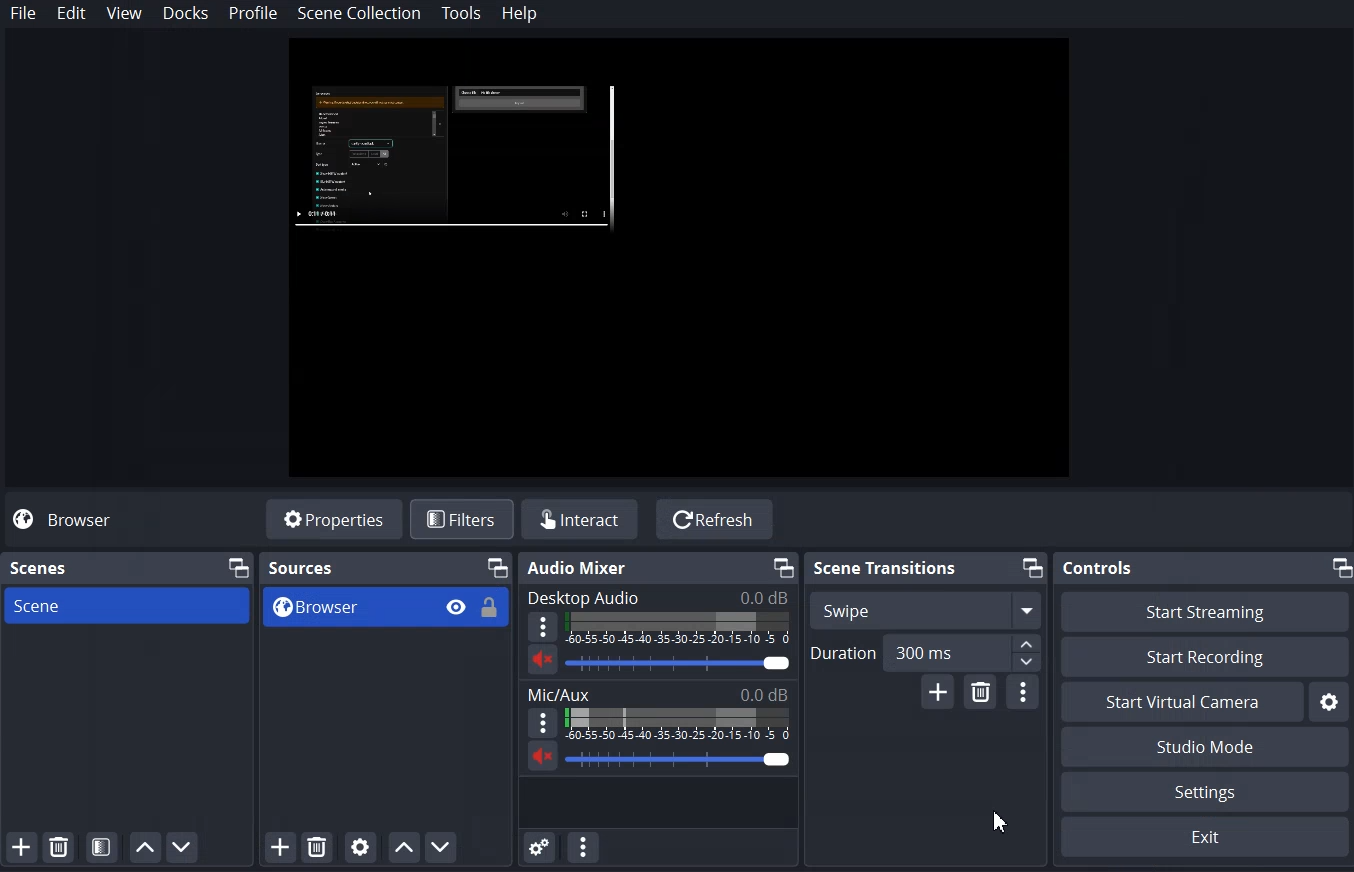  Describe the element at coordinates (456, 606) in the screenshot. I see `Hide` at that location.